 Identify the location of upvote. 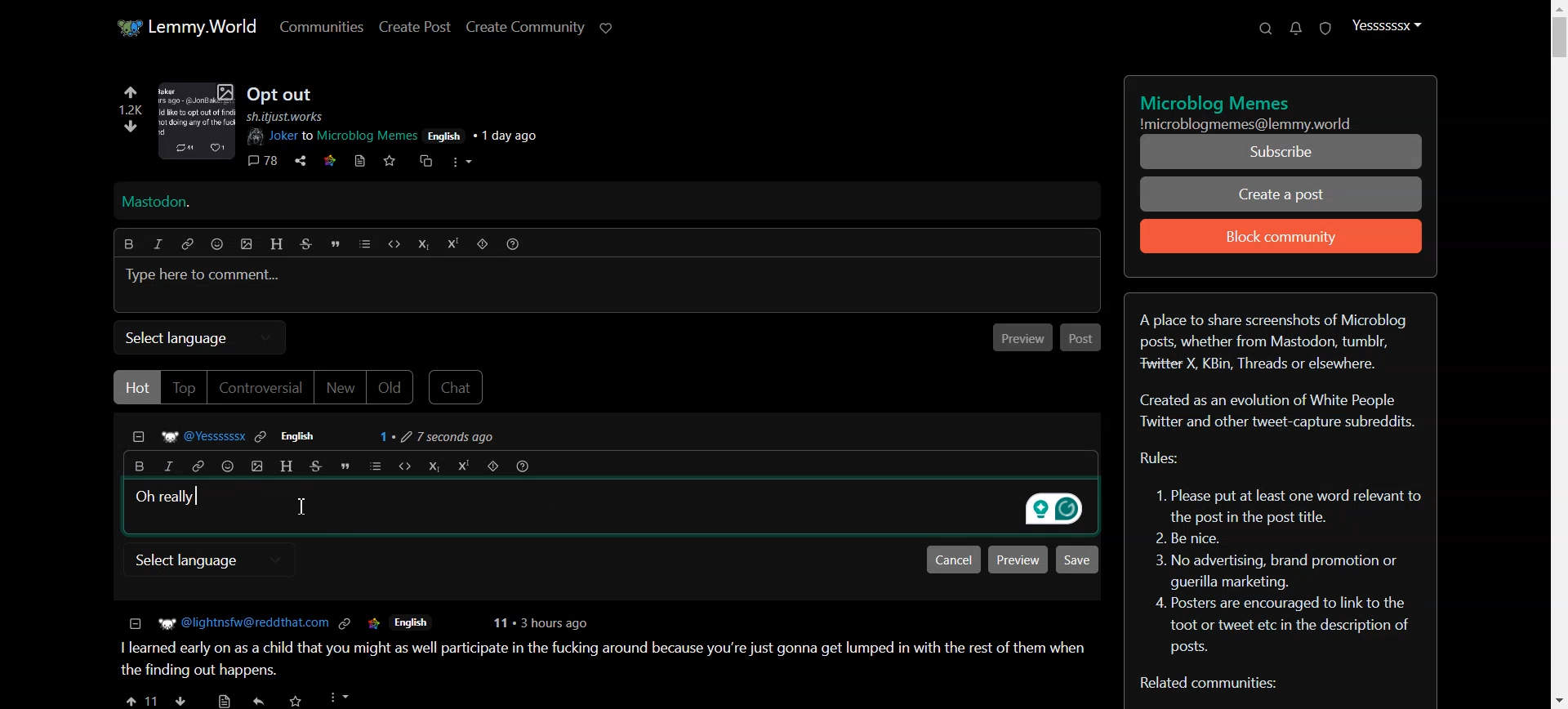
(130, 94).